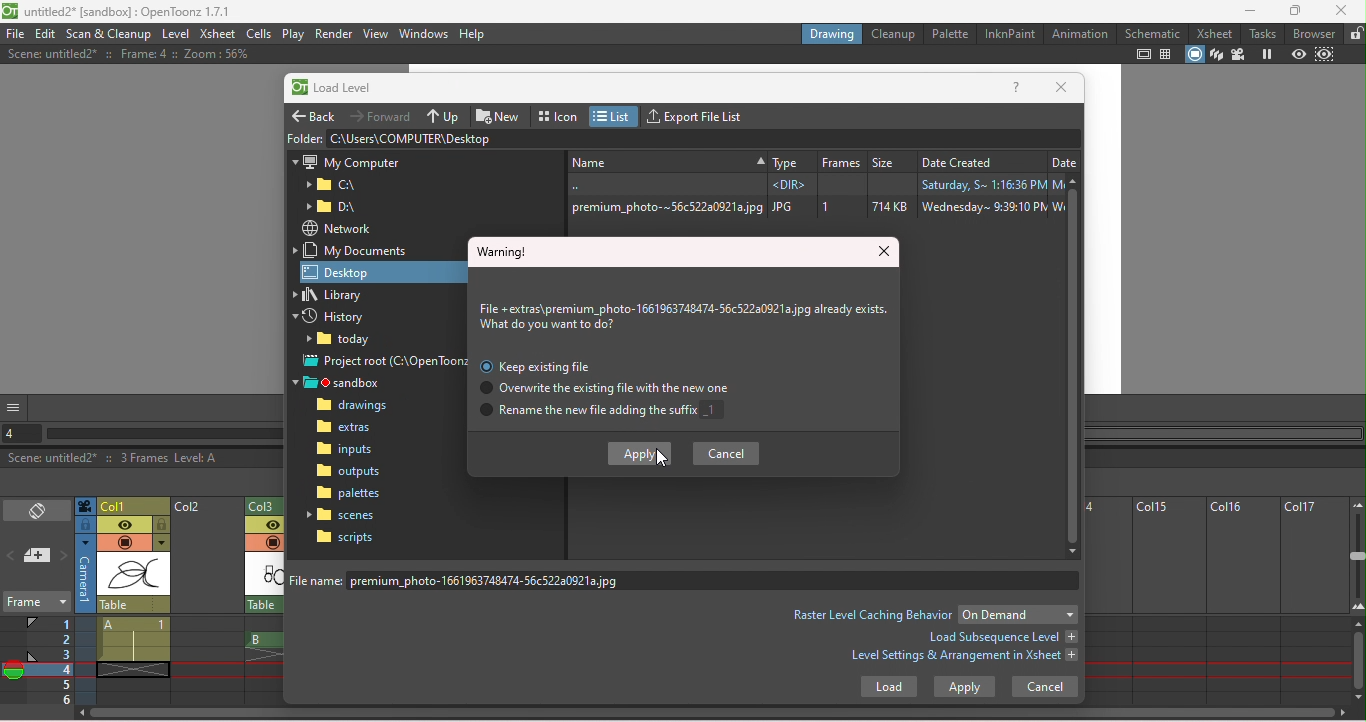 The height and width of the screenshot is (722, 1366). I want to click on Palette, so click(951, 33).